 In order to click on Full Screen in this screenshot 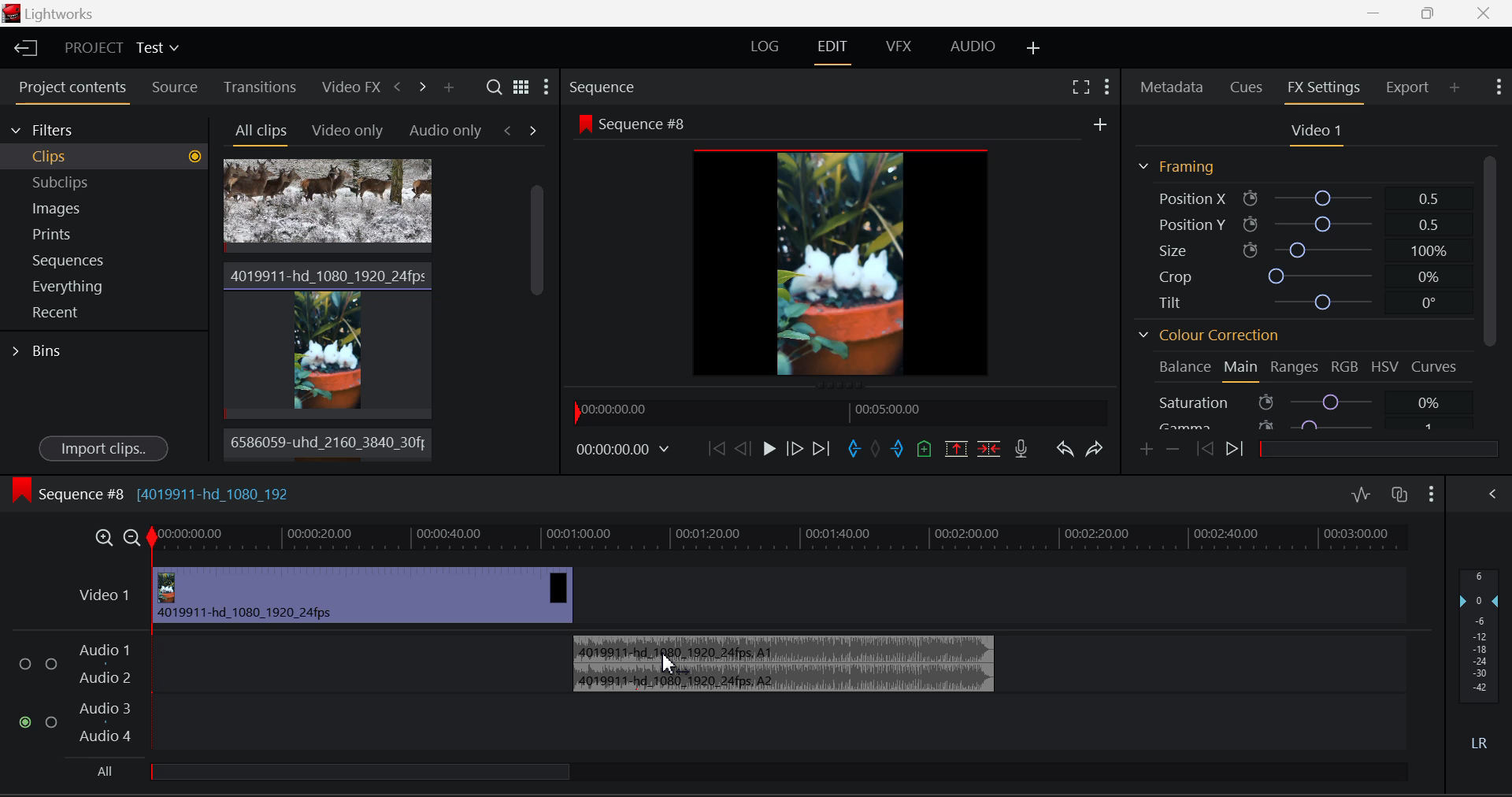, I will do `click(1079, 86)`.